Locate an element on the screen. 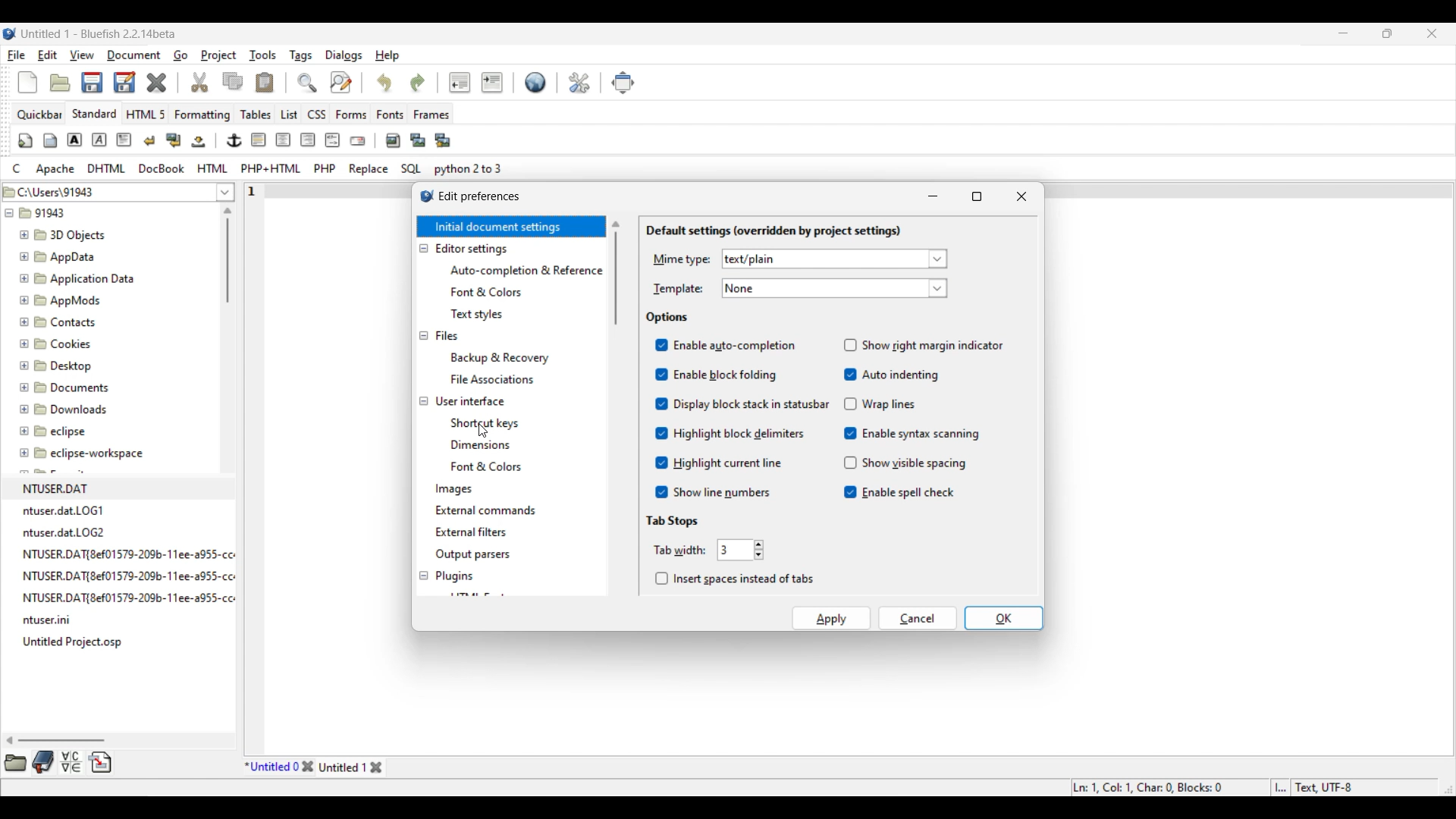 The width and height of the screenshot is (1456, 819). Minimize is located at coordinates (933, 196).